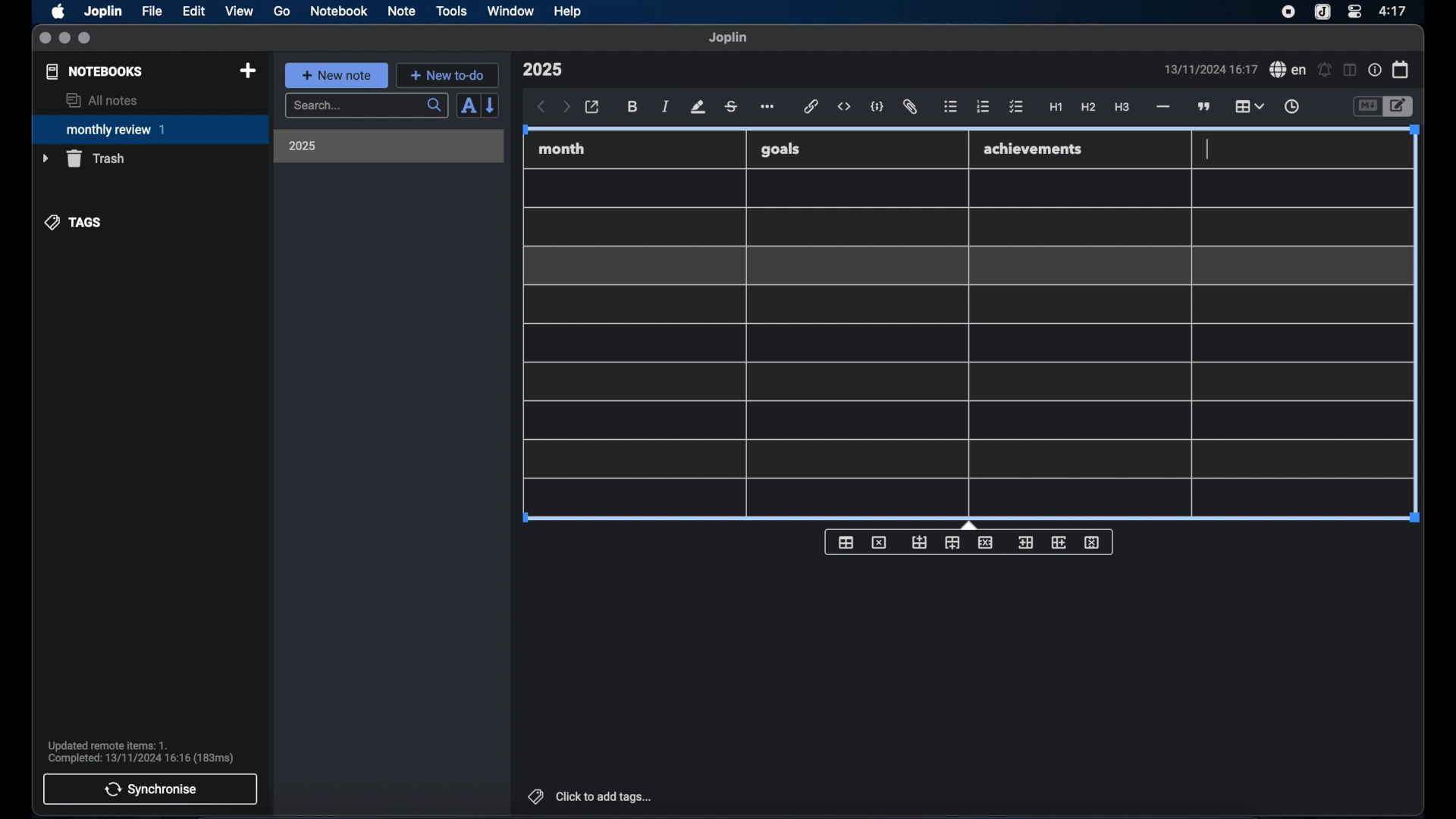  I want to click on note properties, so click(1375, 71).